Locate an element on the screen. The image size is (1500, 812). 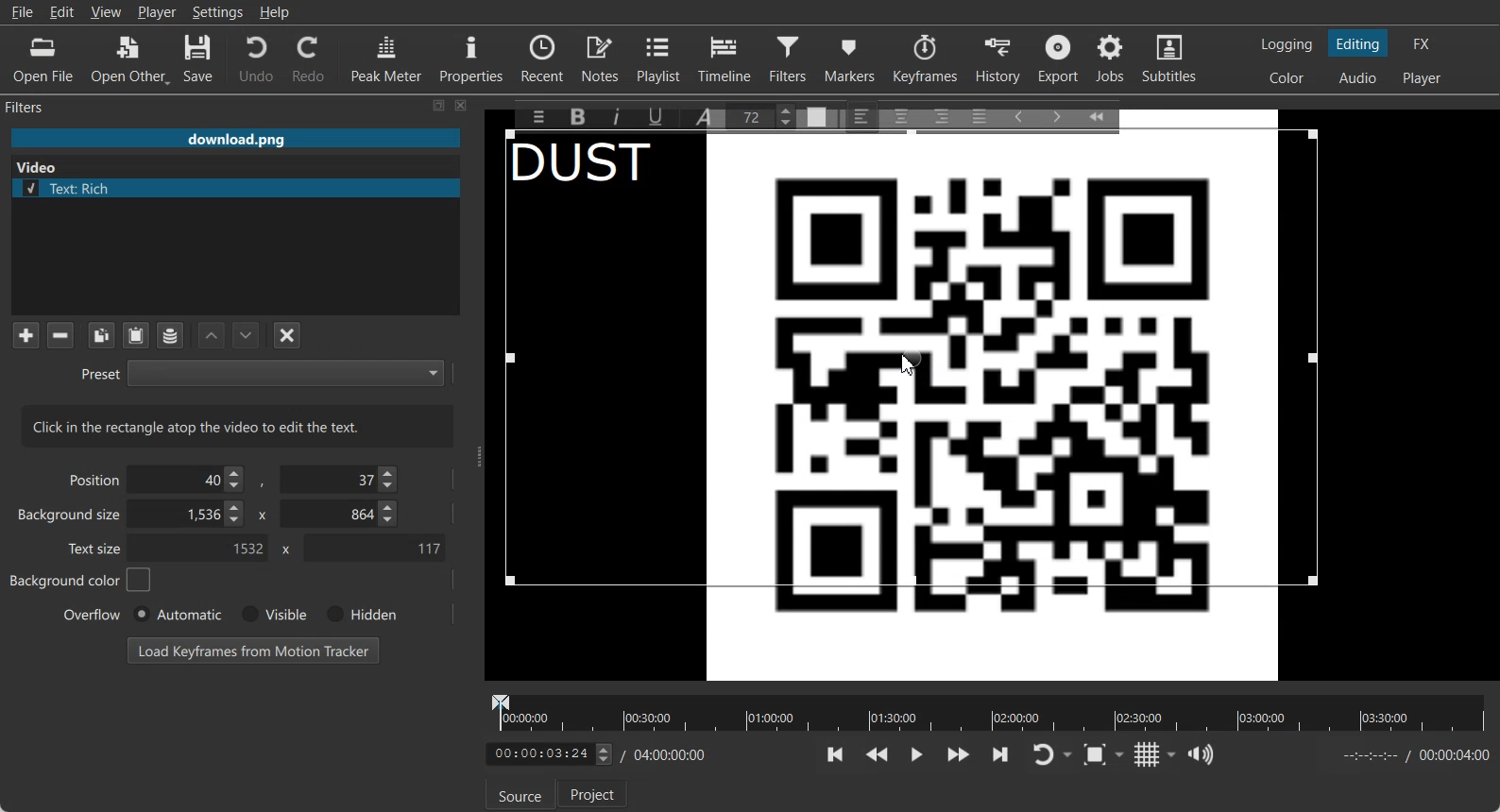
Bold is located at coordinates (576, 117).